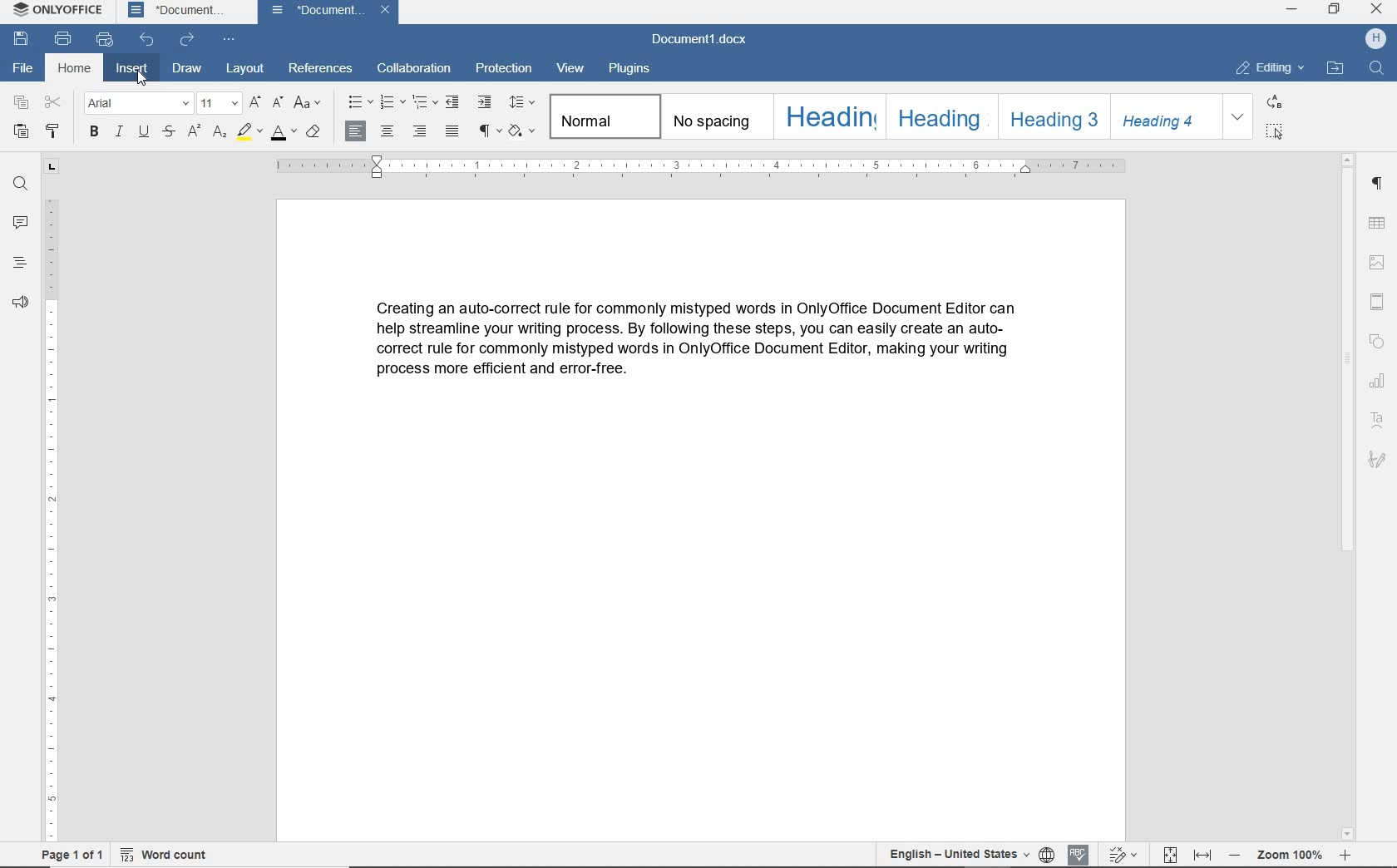 This screenshot has width=1397, height=868. What do you see at coordinates (220, 131) in the screenshot?
I see `subscript` at bounding box center [220, 131].